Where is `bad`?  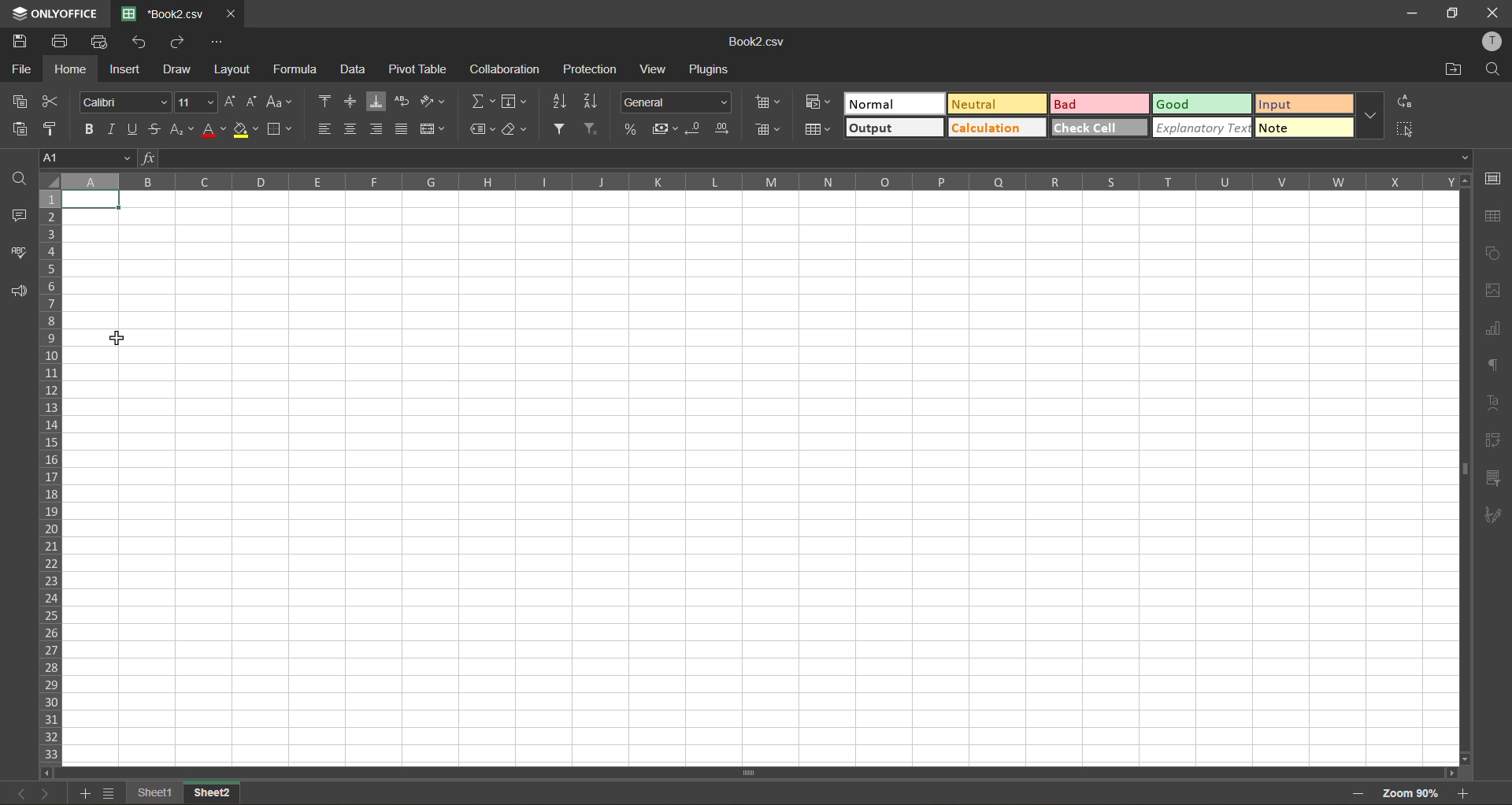 bad is located at coordinates (1102, 103).